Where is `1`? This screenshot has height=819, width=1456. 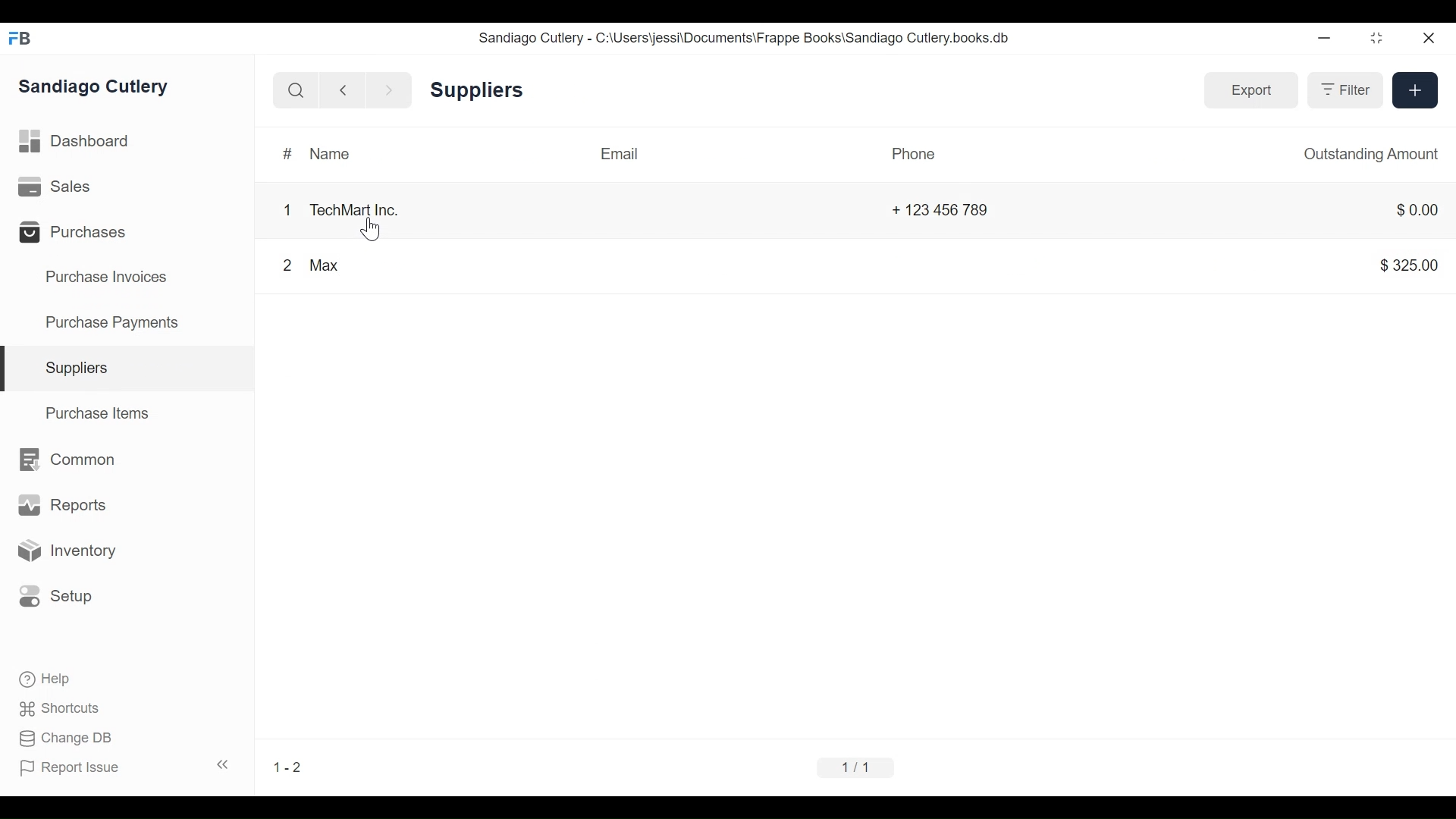
1 is located at coordinates (283, 208).